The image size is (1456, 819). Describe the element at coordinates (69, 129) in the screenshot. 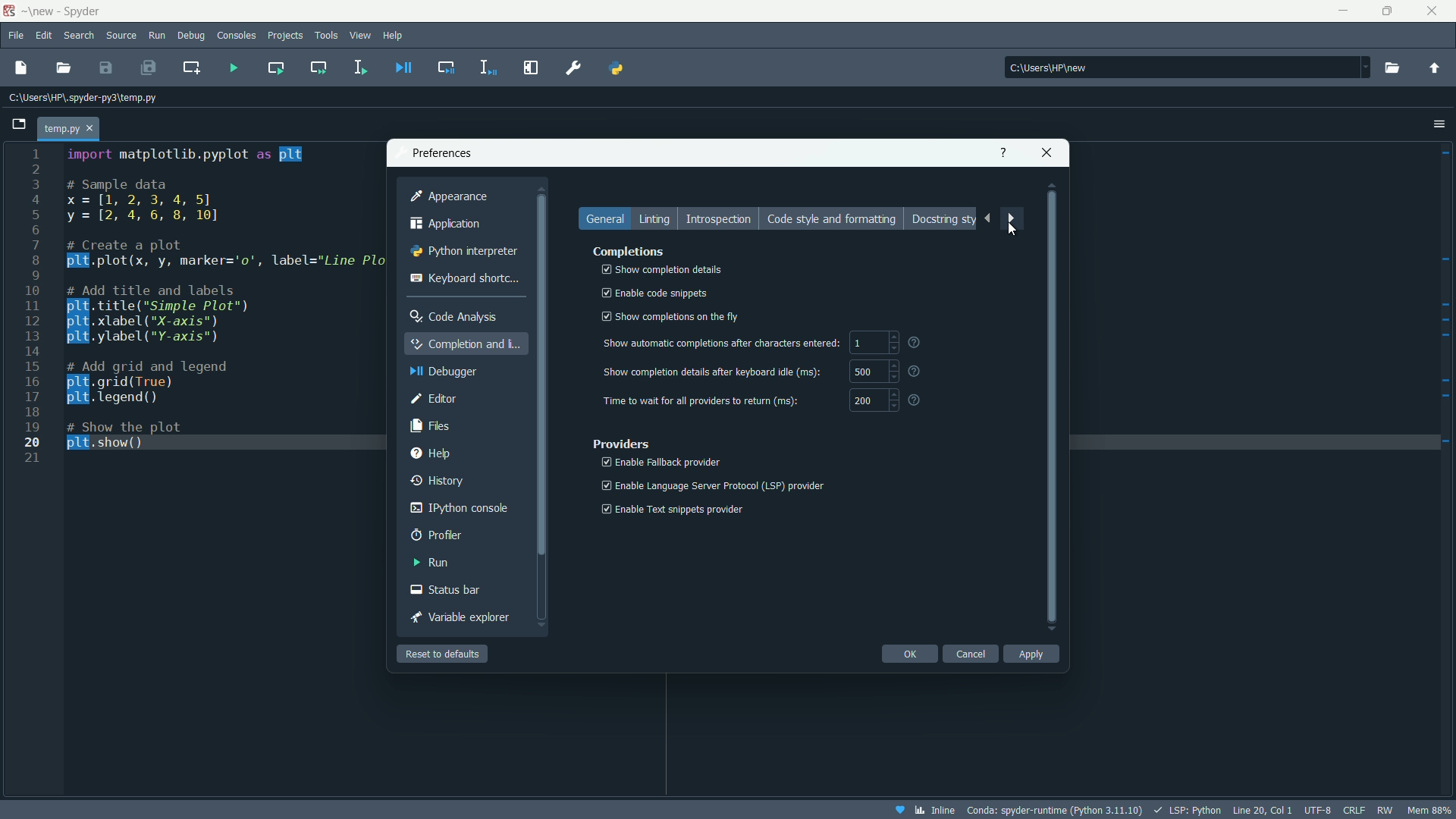

I see `file tab` at that location.